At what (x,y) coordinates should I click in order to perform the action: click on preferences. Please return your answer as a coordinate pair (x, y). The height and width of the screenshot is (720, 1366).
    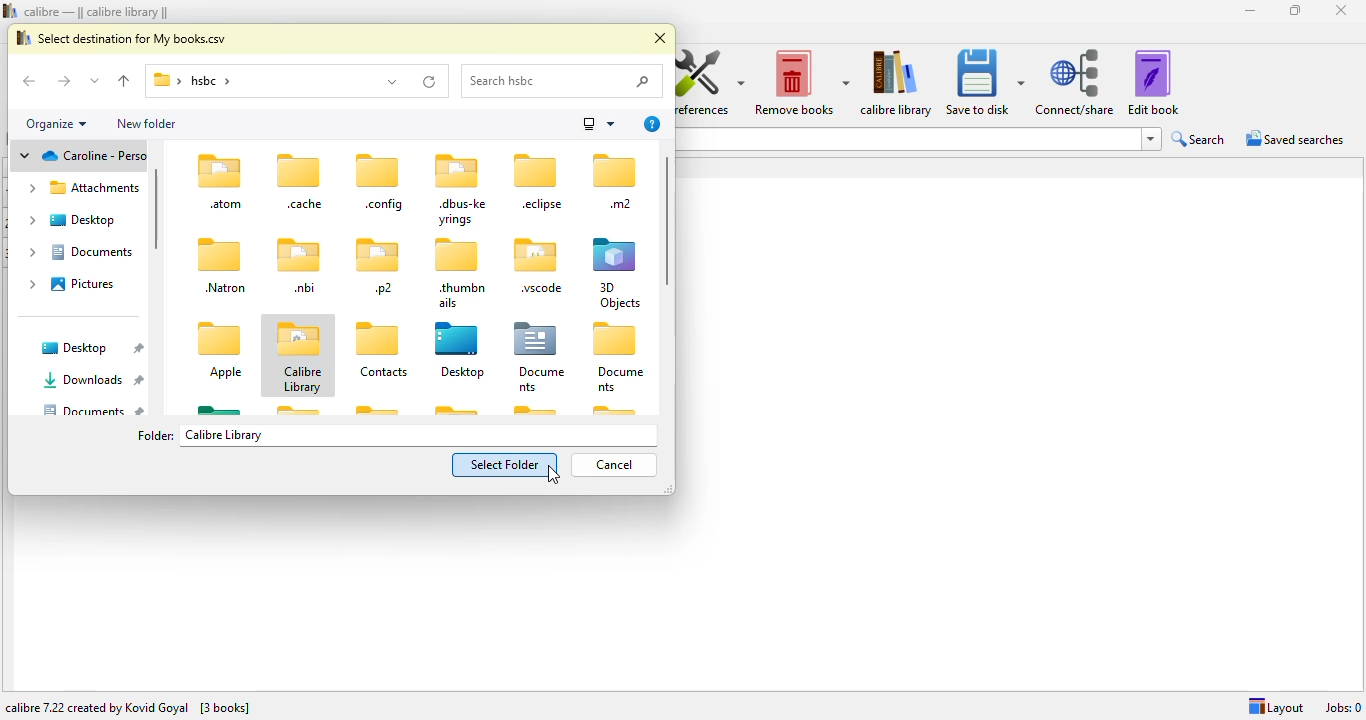
    Looking at the image, I should click on (710, 81).